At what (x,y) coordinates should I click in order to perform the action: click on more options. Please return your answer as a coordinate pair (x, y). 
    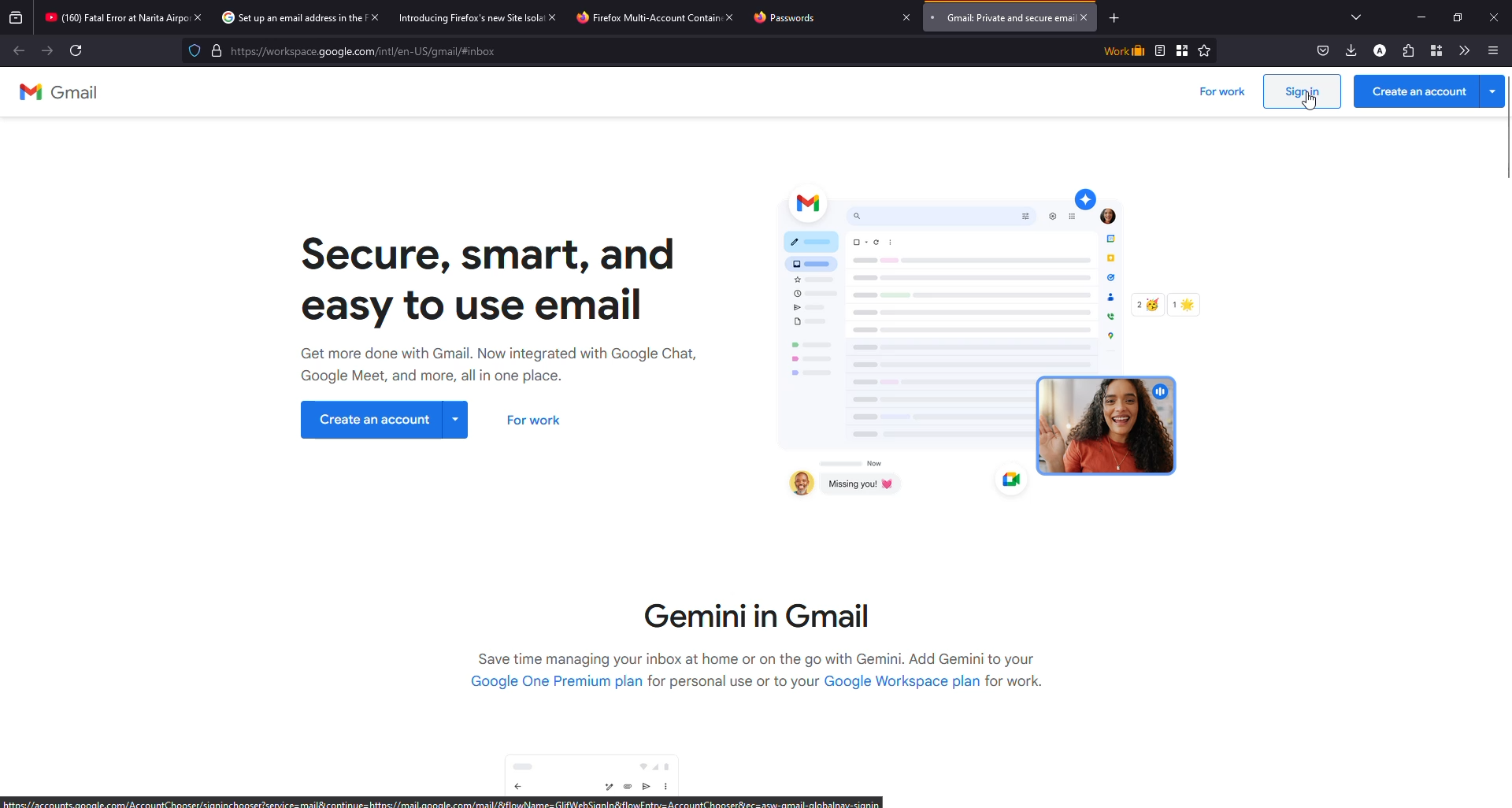
    Looking at the image, I should click on (1497, 48).